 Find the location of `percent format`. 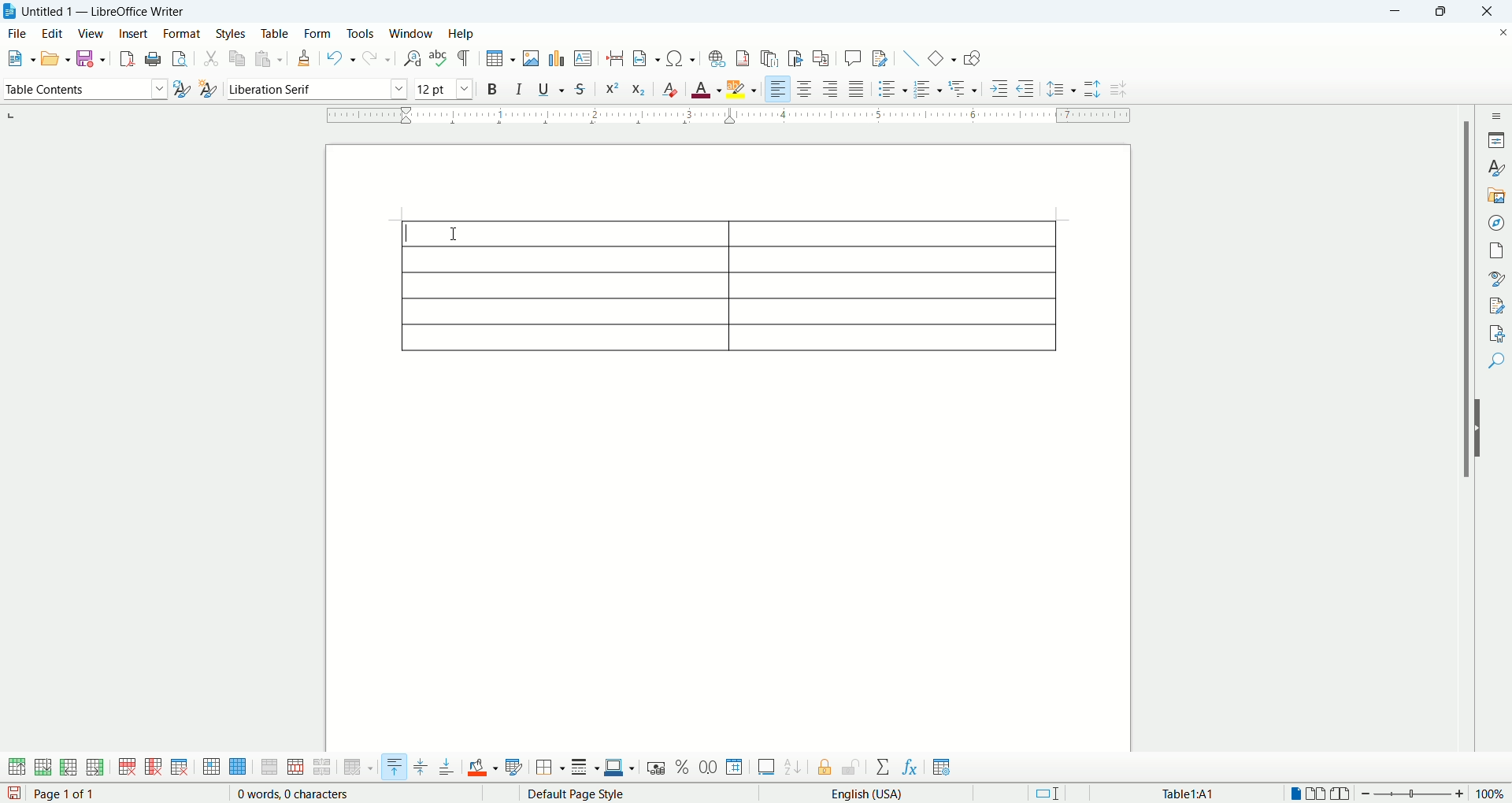

percent format is located at coordinates (684, 767).